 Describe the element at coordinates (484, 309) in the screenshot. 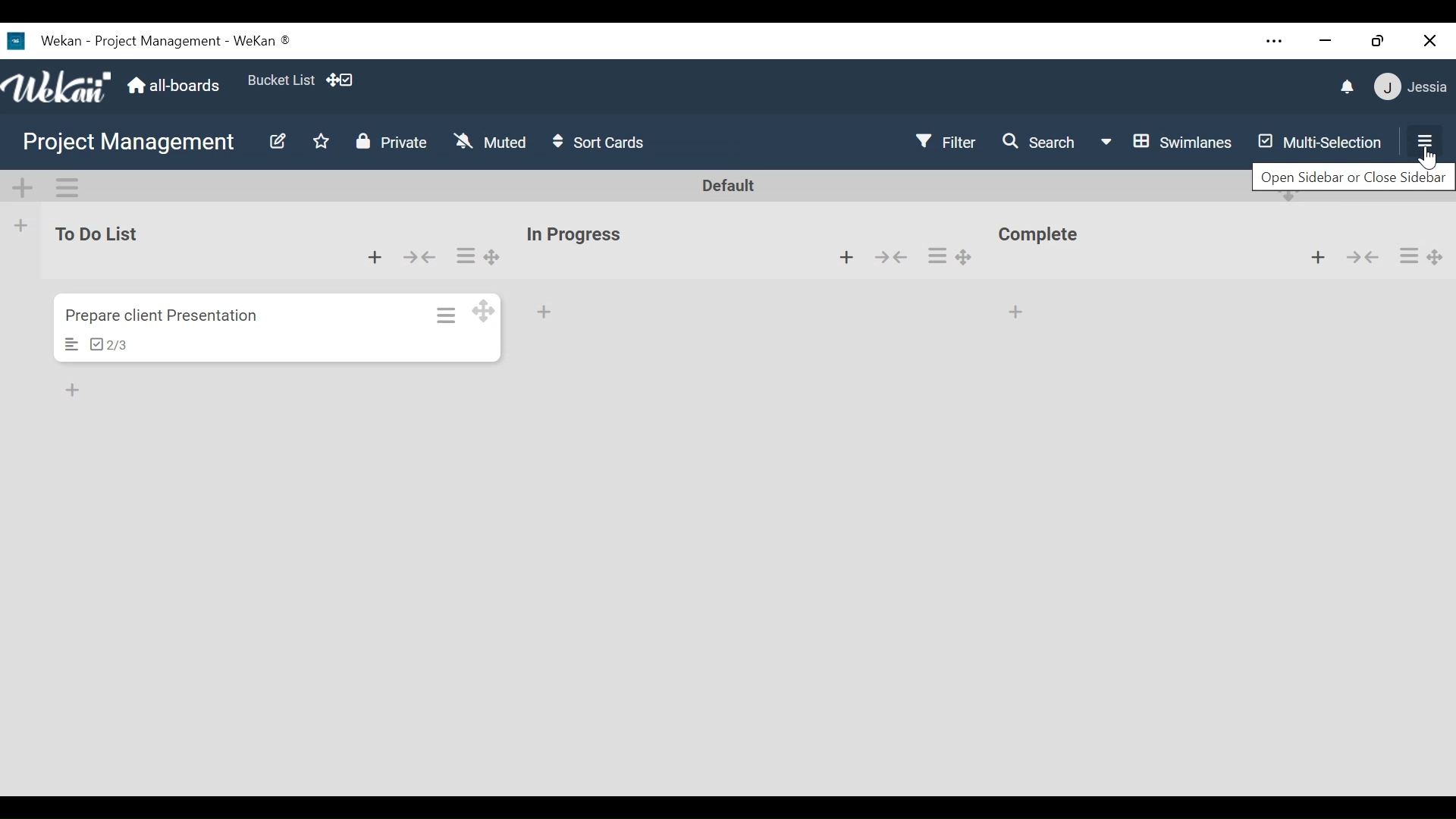

I see `Desktop drag handles` at that location.